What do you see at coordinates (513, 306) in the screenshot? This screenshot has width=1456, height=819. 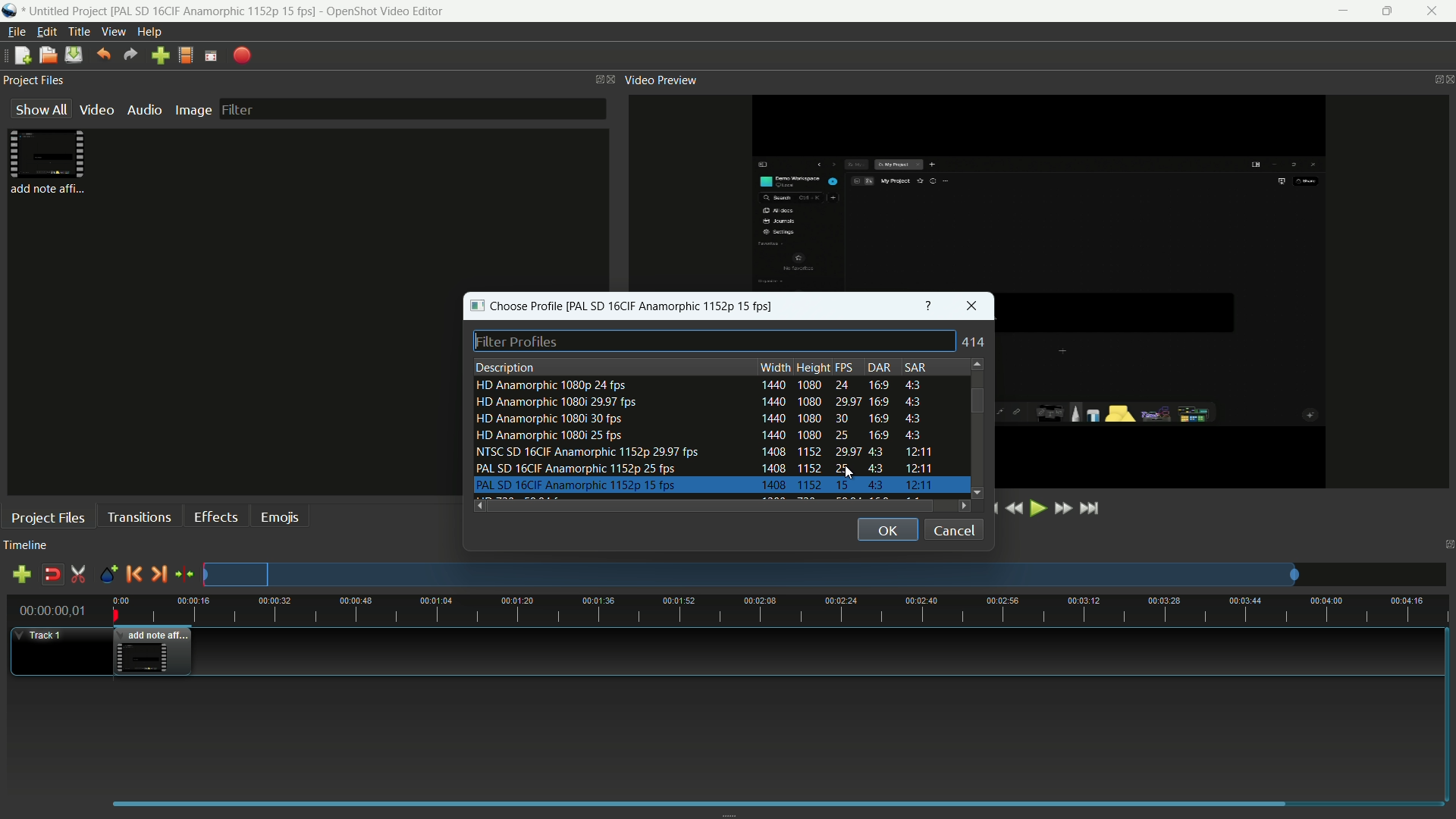 I see `choose profile` at bounding box center [513, 306].